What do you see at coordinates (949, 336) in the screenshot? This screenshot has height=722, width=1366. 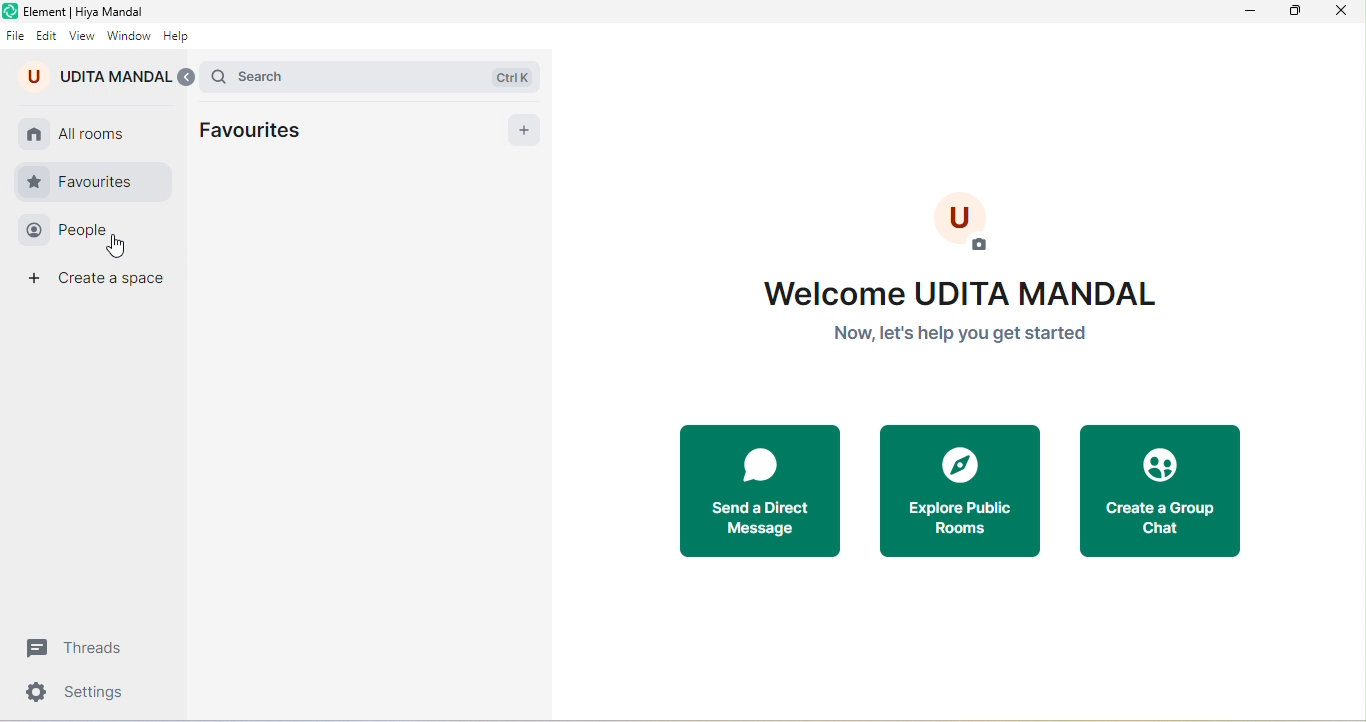 I see `Now, let's help you get started` at bounding box center [949, 336].